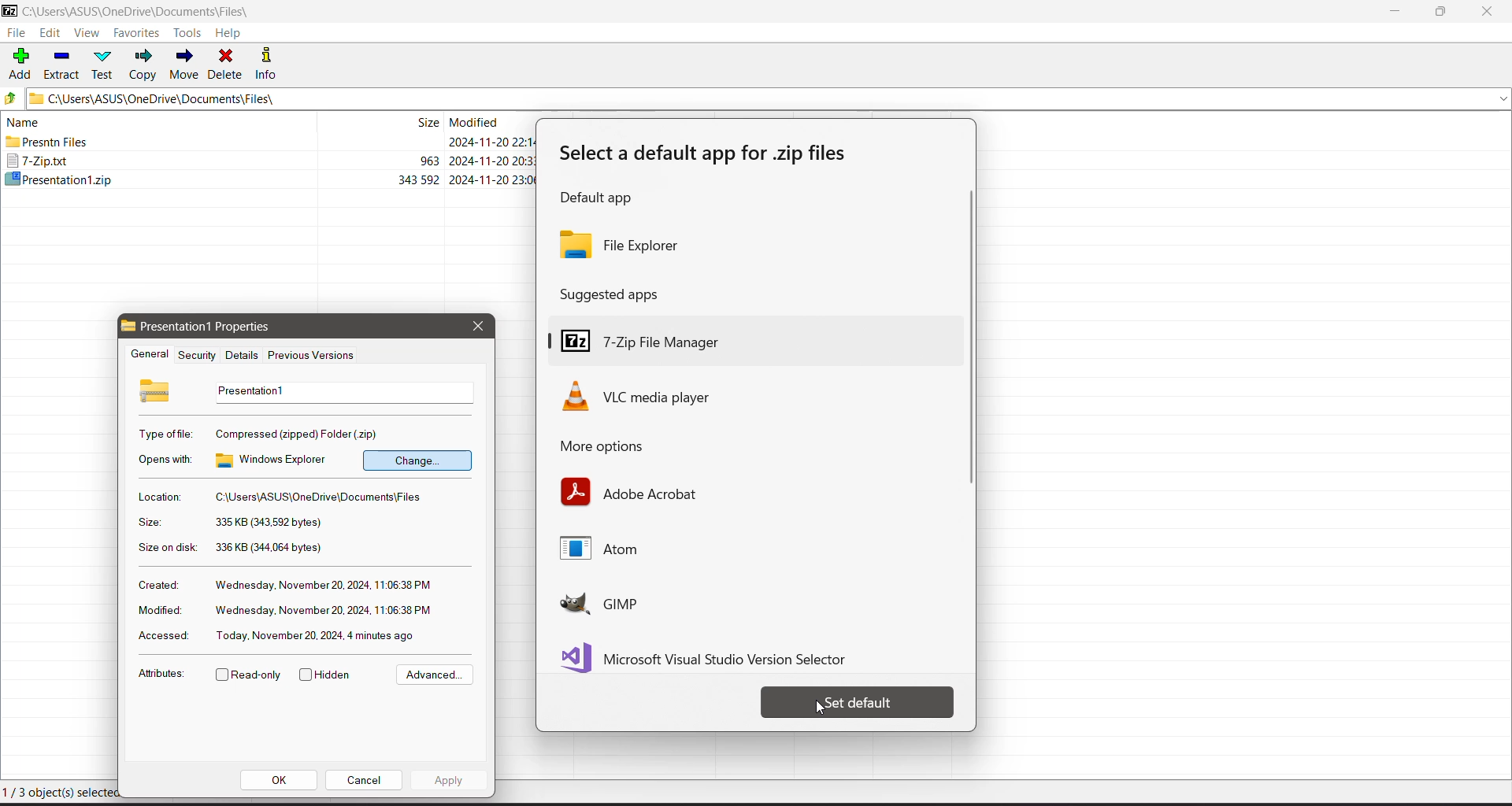  Describe the element at coordinates (52, 34) in the screenshot. I see `Edit` at that location.